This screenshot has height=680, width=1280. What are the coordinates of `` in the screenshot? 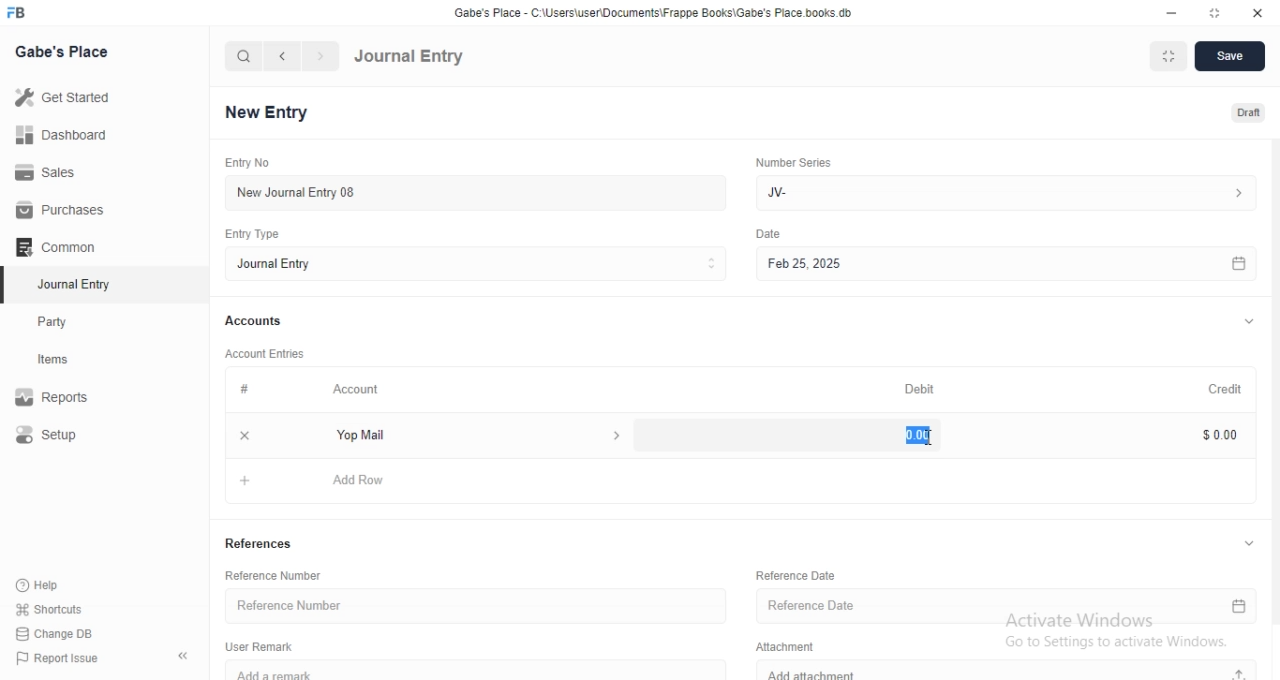 It's located at (768, 234).